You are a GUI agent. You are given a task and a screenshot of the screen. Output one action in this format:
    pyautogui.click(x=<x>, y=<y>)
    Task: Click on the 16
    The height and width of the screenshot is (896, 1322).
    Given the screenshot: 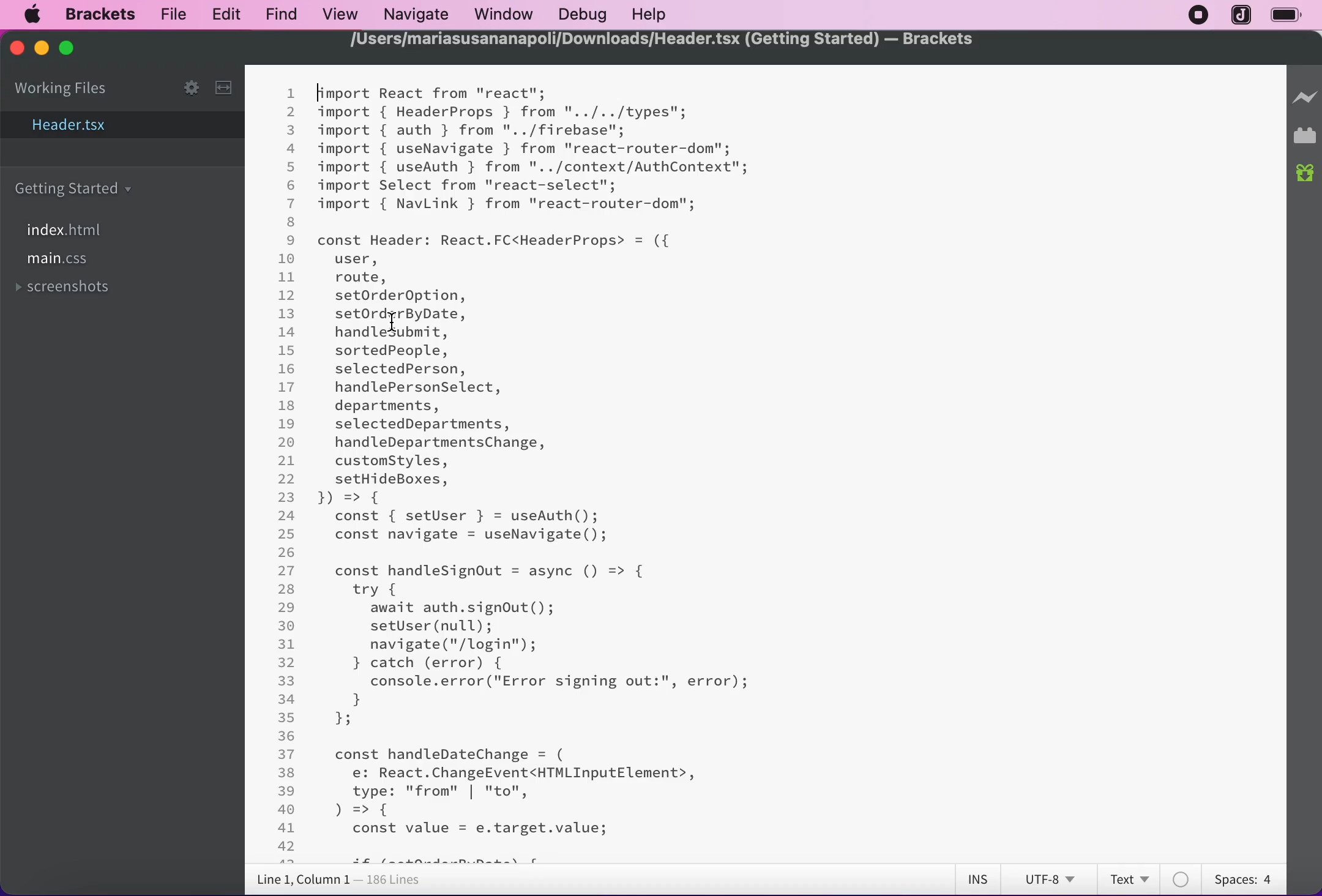 What is the action you would take?
    pyautogui.click(x=286, y=368)
    